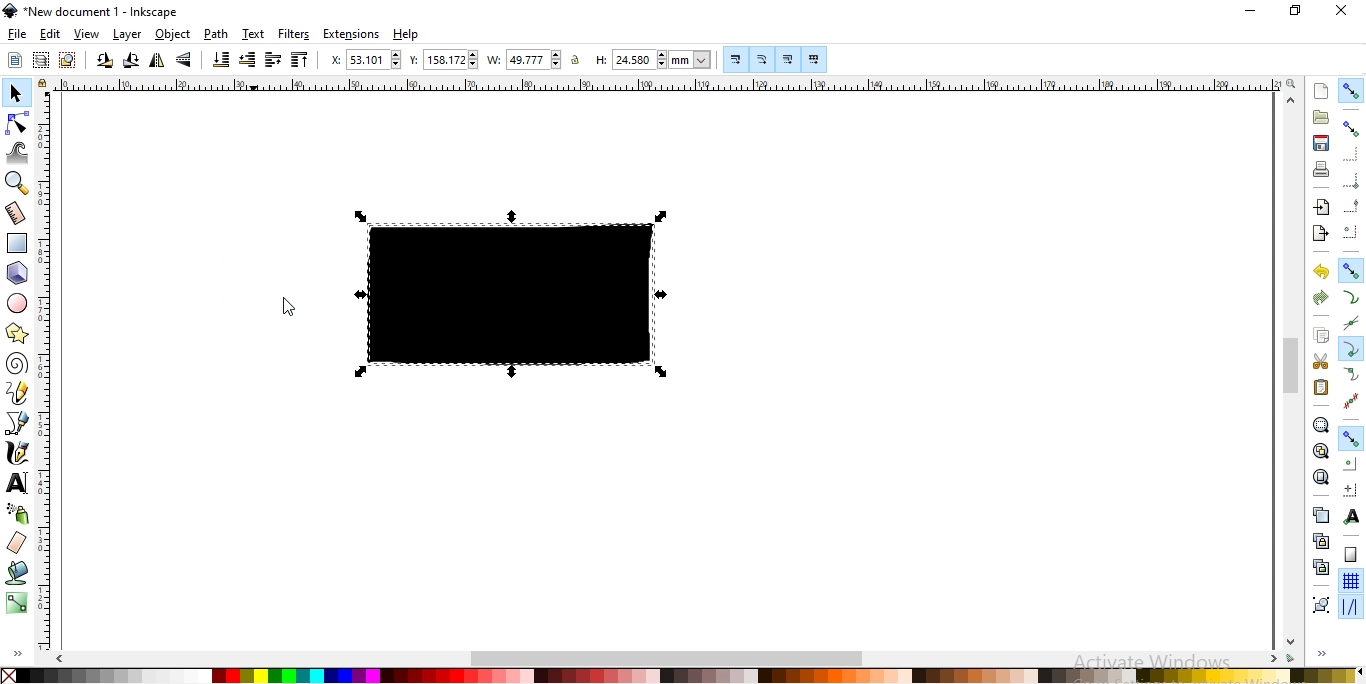  I want to click on enable snapping, so click(1351, 91).